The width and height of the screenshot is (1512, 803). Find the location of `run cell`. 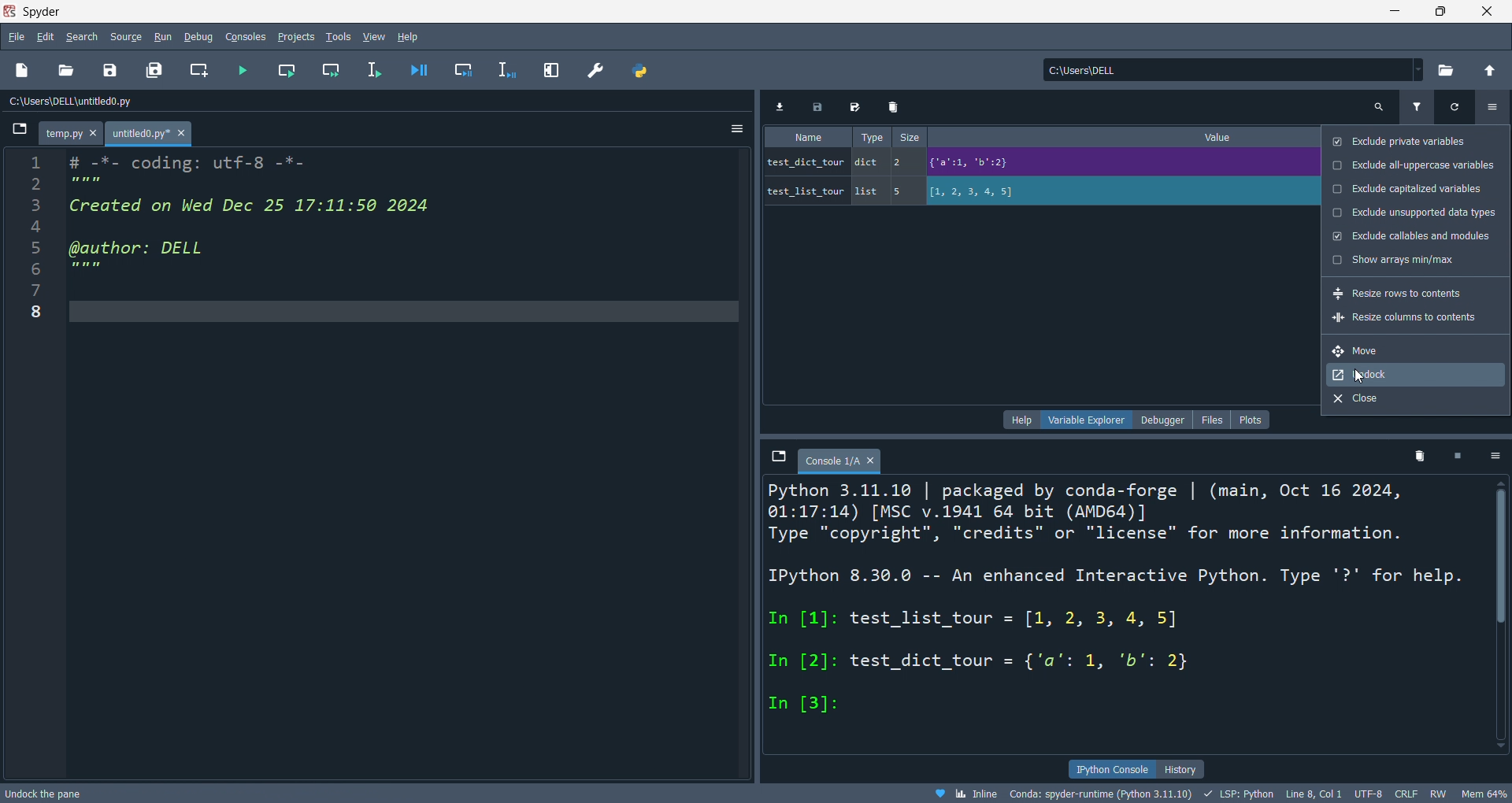

run cell is located at coordinates (287, 71).